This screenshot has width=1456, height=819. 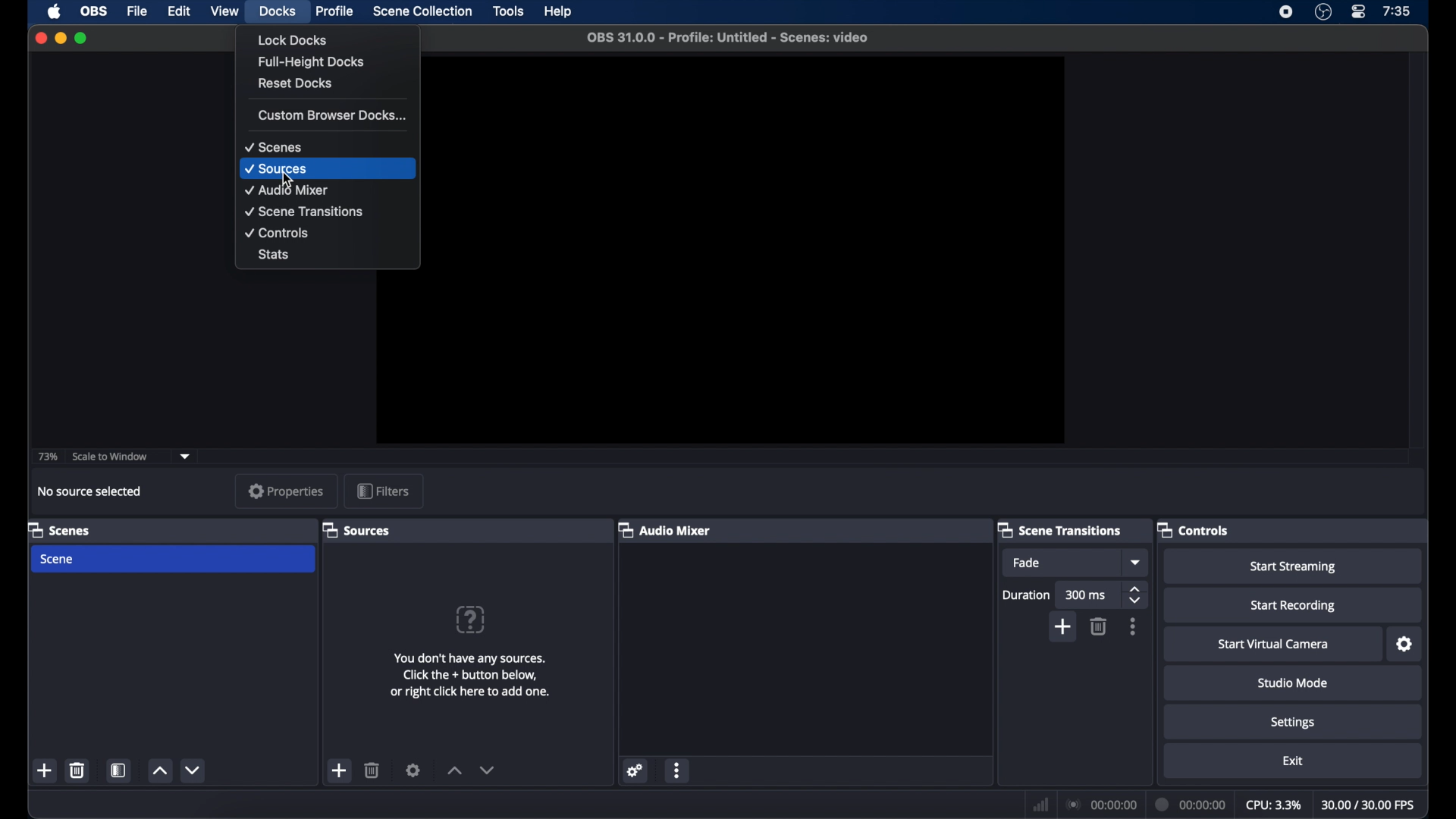 What do you see at coordinates (297, 83) in the screenshot?
I see `reset docks` at bounding box center [297, 83].